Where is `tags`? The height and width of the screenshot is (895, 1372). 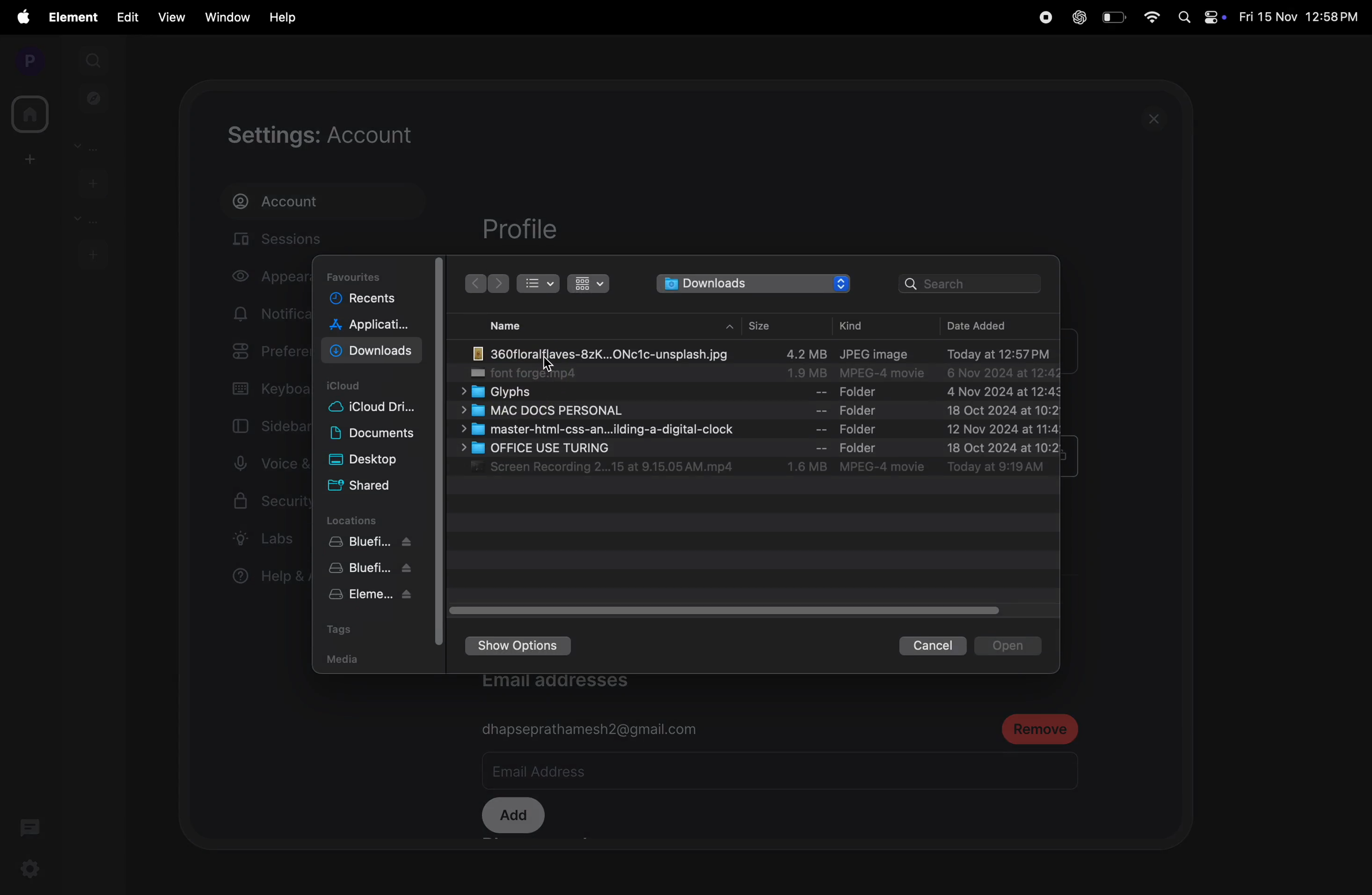 tags is located at coordinates (367, 629).